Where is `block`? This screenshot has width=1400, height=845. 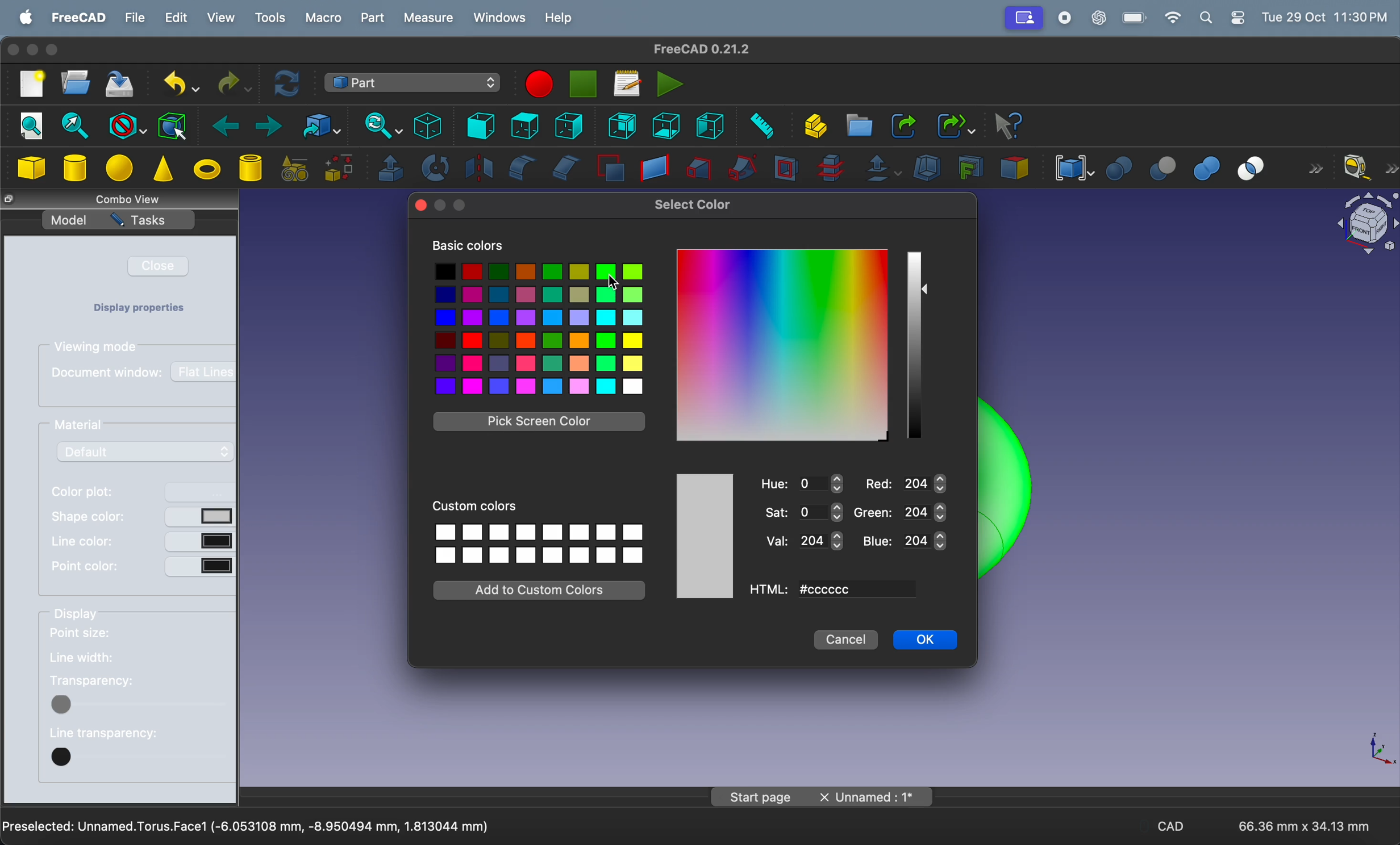
block is located at coordinates (124, 123).